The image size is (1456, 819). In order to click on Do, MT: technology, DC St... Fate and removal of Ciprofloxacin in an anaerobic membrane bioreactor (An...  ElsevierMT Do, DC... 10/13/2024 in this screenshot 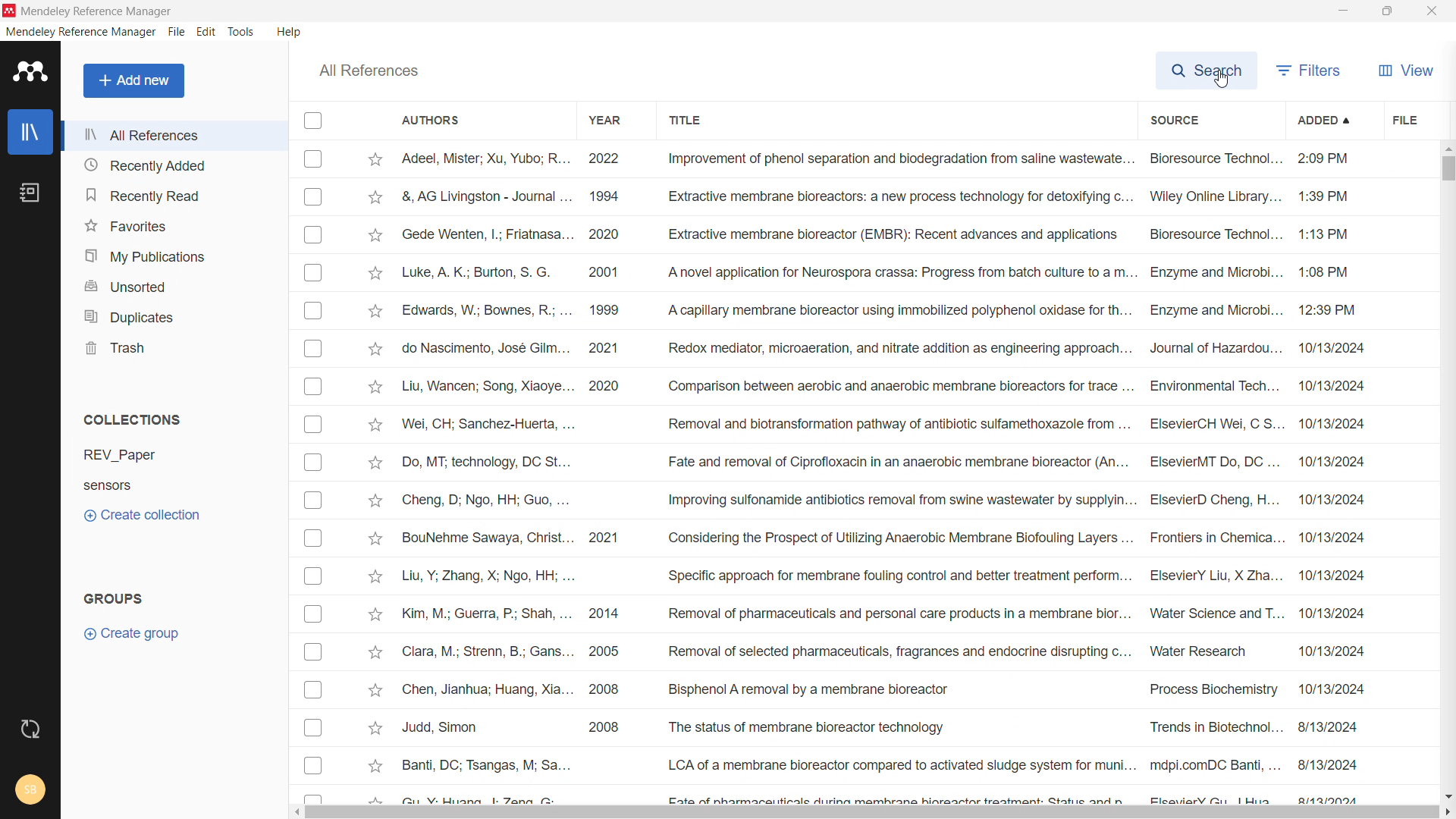, I will do `click(596, 460)`.